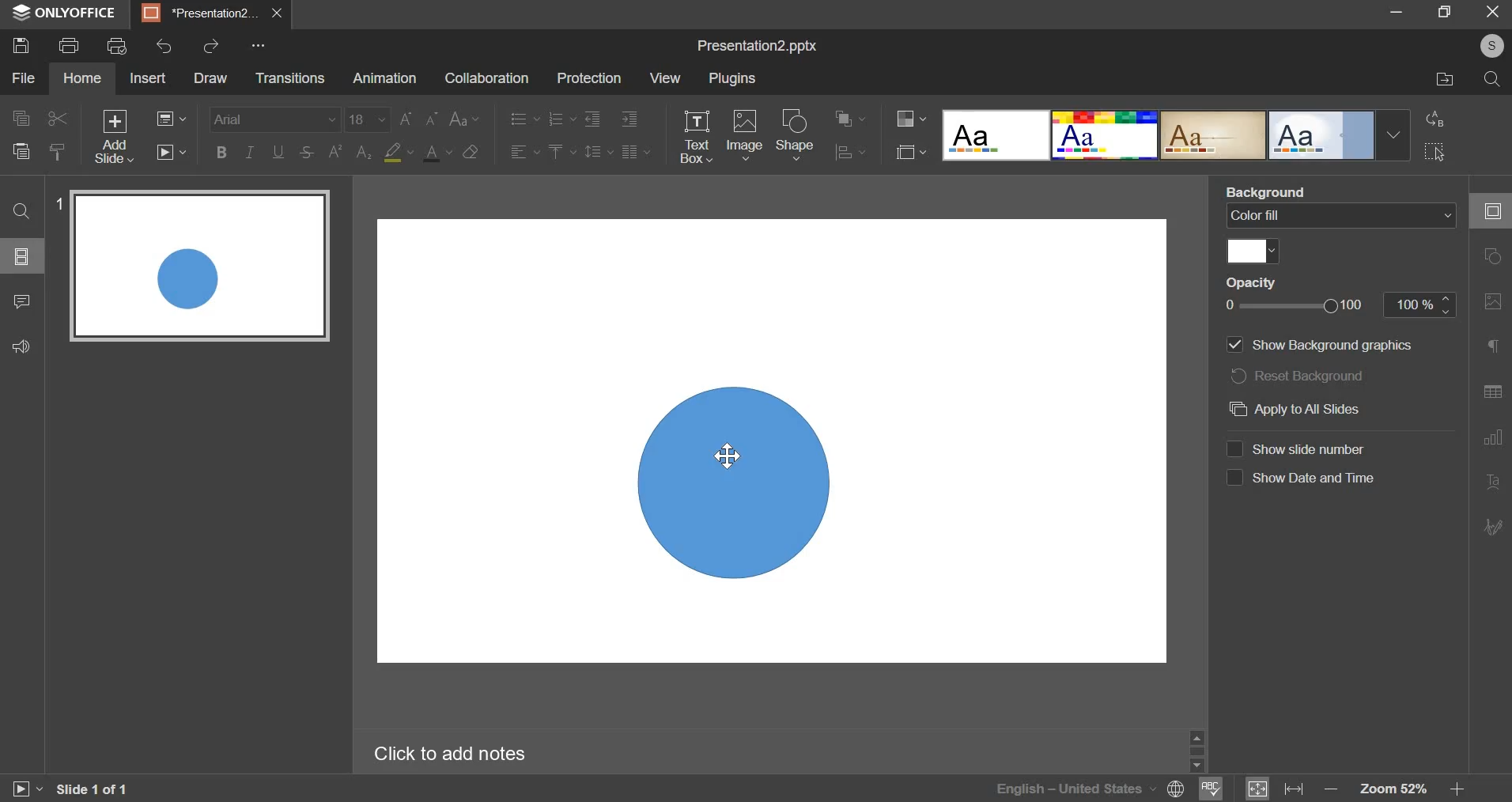 This screenshot has width=1512, height=802. I want to click on search, so click(1494, 79).